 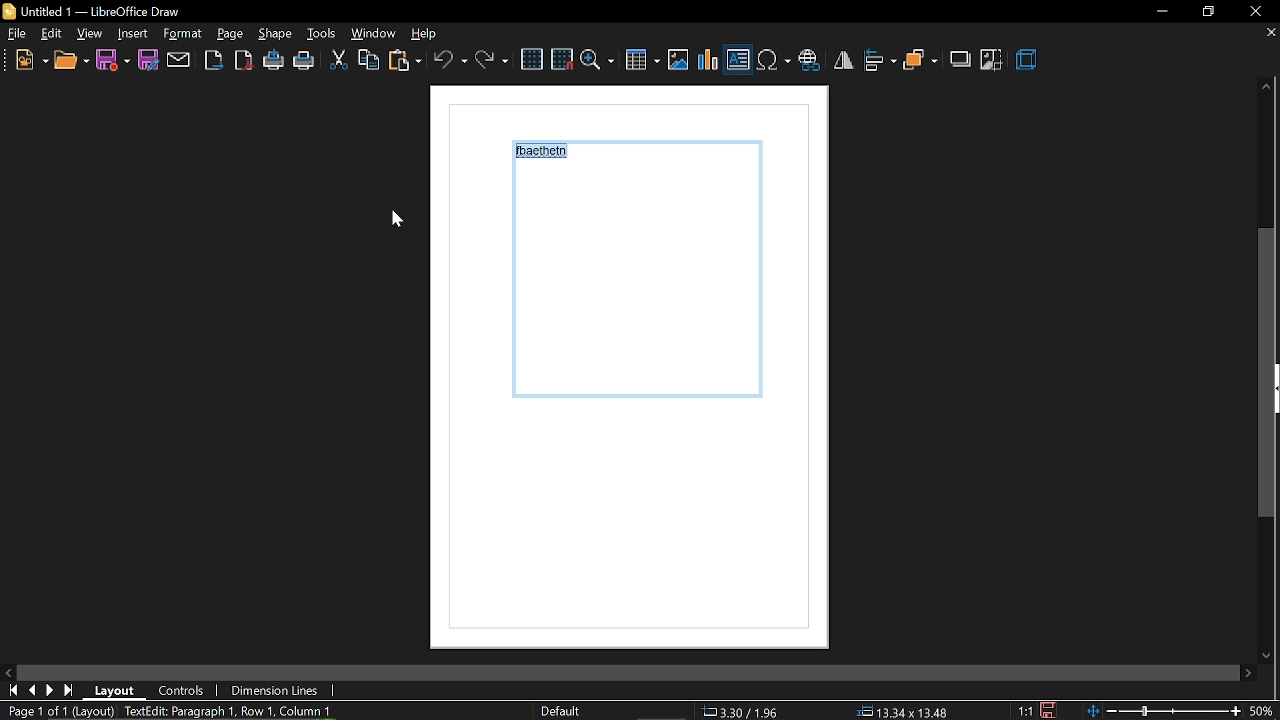 I want to click on zoom change, so click(x=1183, y=713).